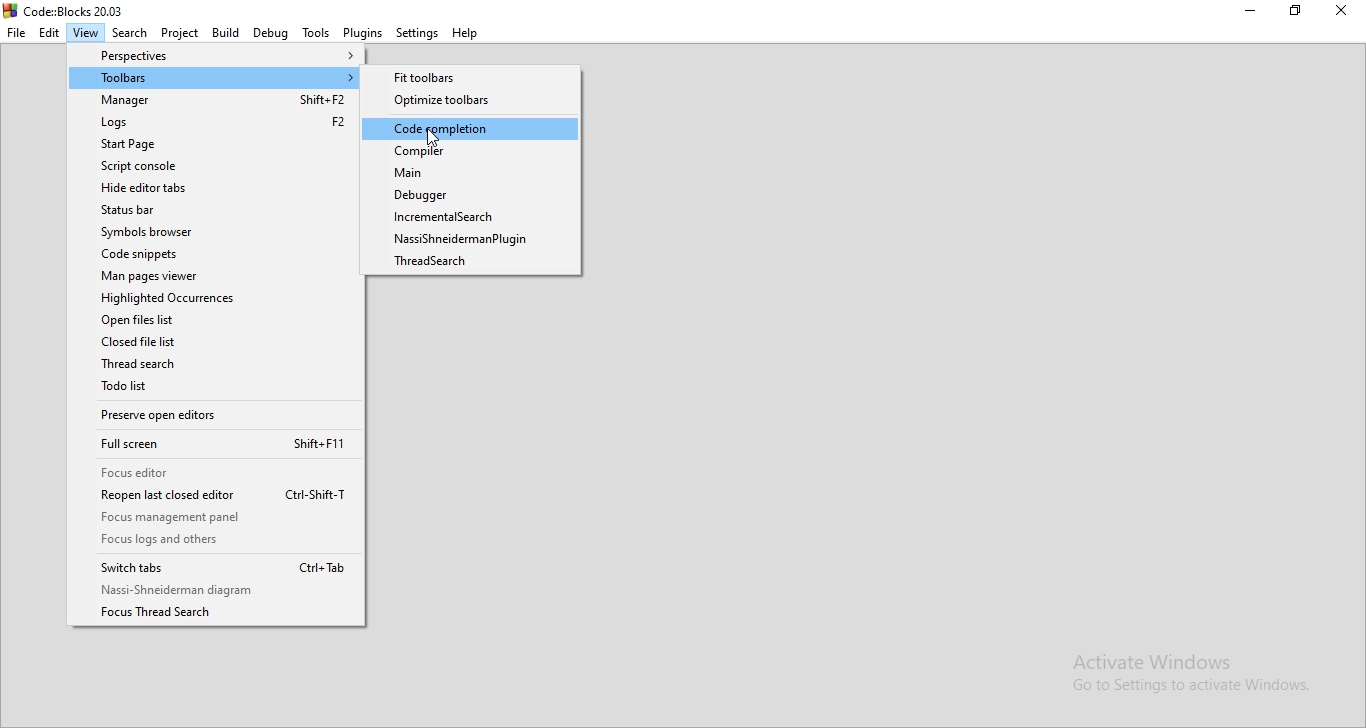  What do you see at coordinates (475, 76) in the screenshot?
I see `Fittoolbars` at bounding box center [475, 76].